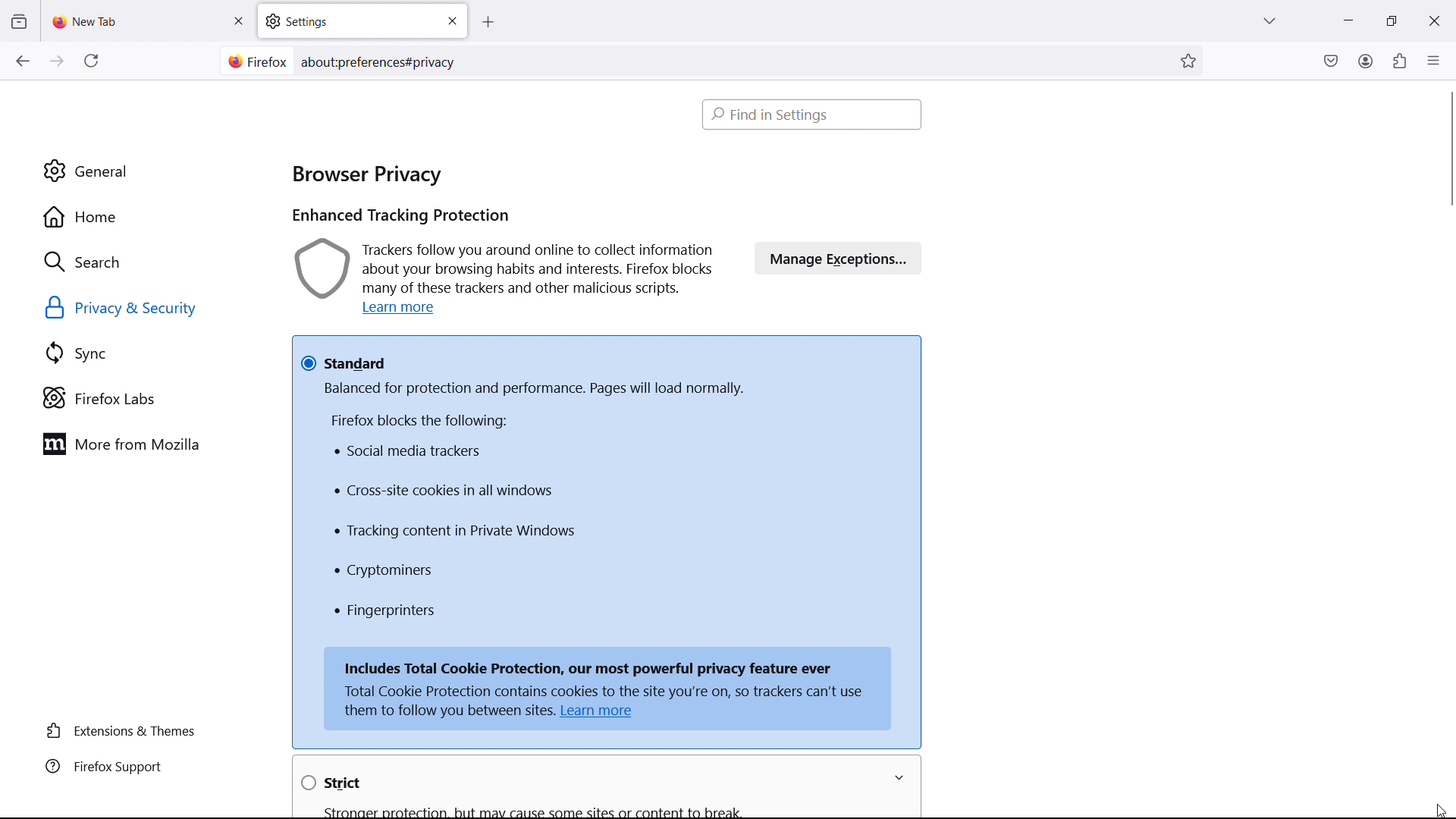 Image resolution: width=1456 pixels, height=819 pixels. Describe the element at coordinates (503, 23) in the screenshot. I see `open new tab` at that location.